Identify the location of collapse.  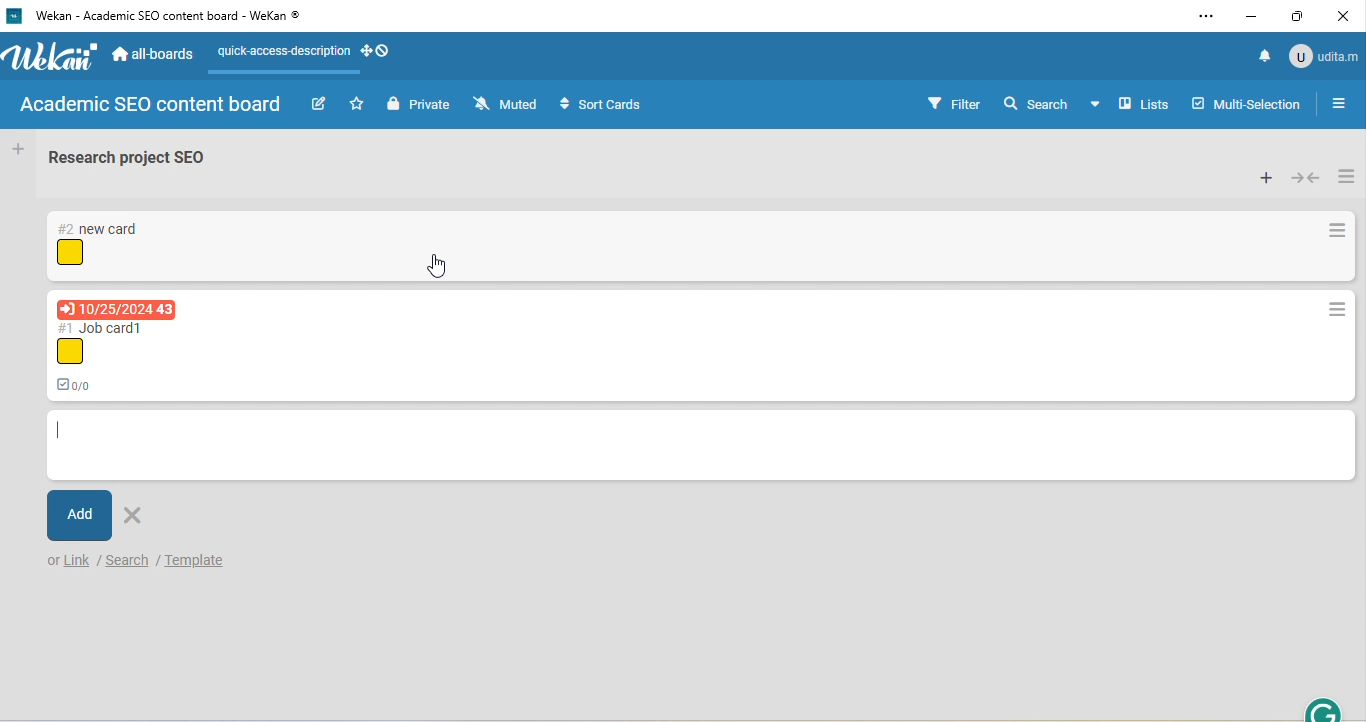
(1306, 178).